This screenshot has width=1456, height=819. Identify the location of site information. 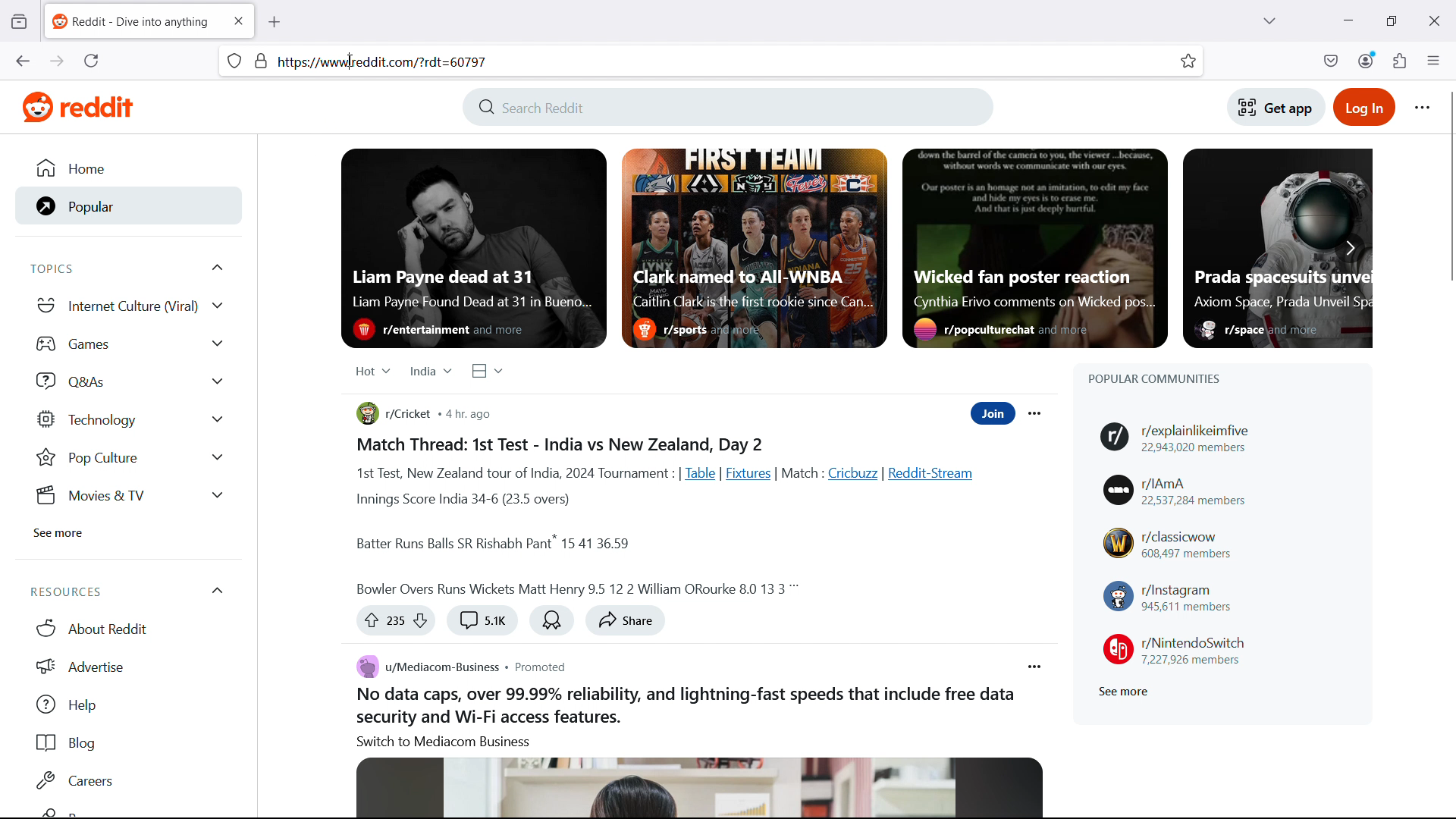
(235, 60).